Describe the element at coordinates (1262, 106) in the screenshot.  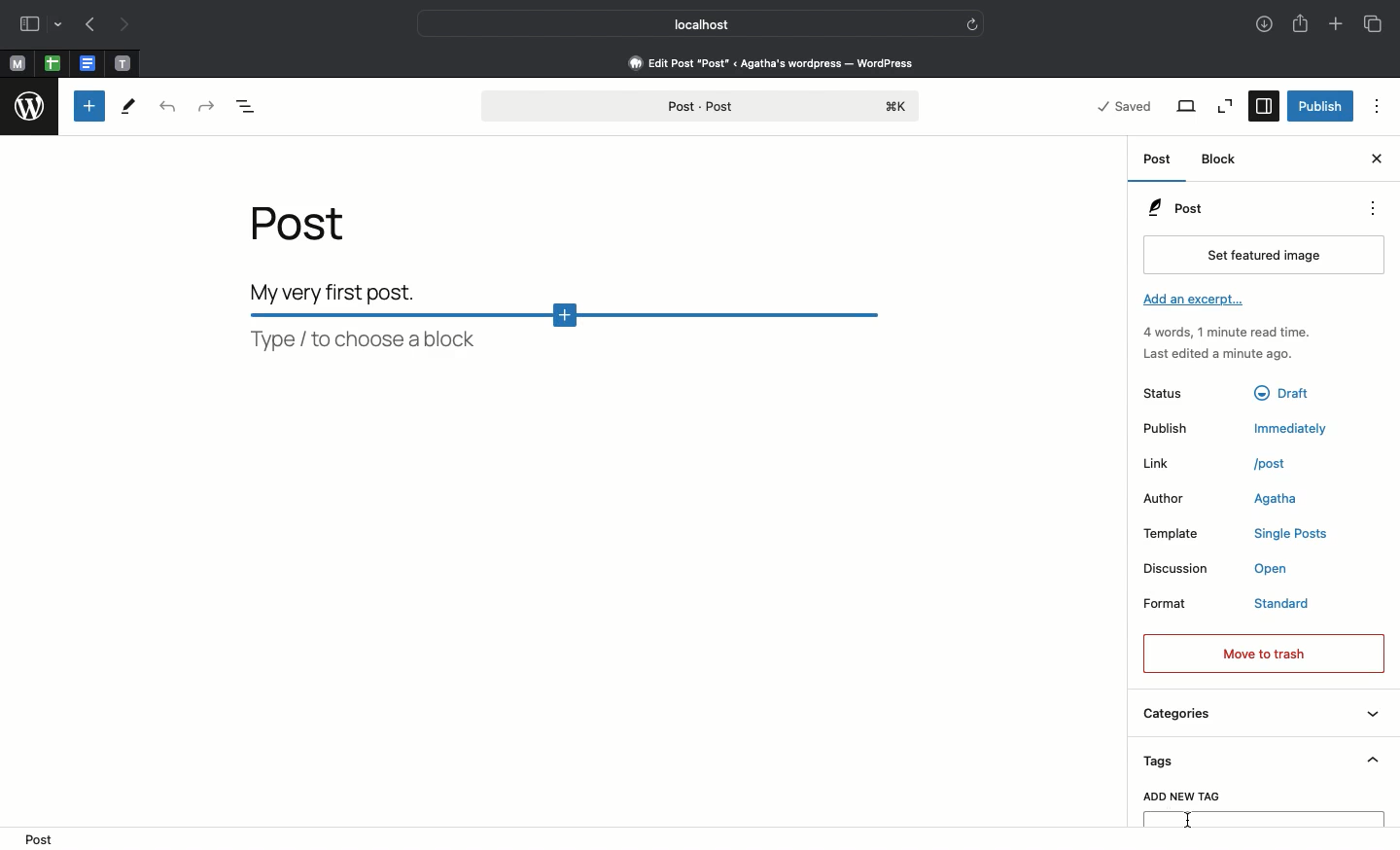
I see `Sidebar` at that location.